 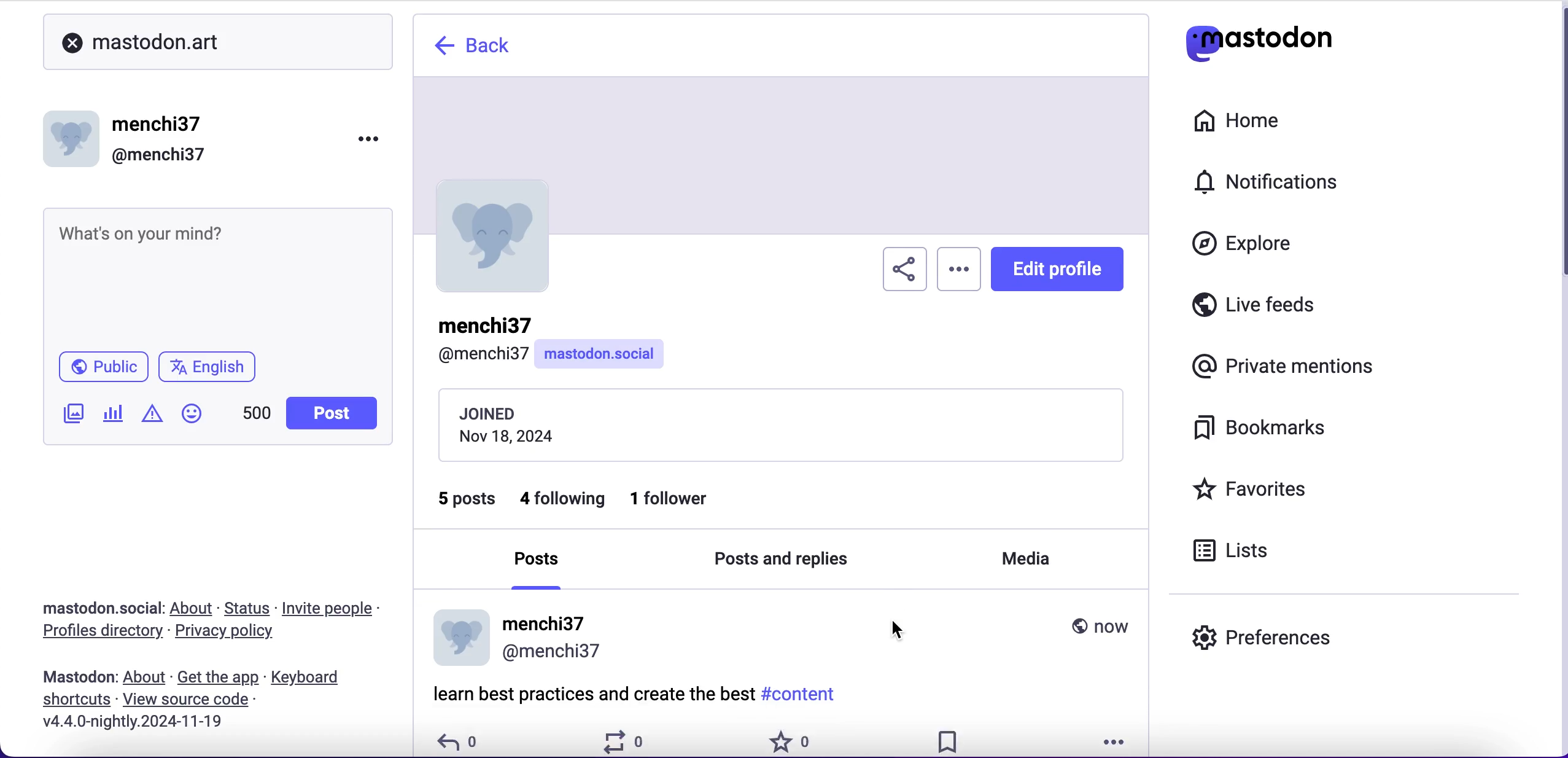 What do you see at coordinates (1269, 432) in the screenshot?
I see `bookmarks` at bounding box center [1269, 432].